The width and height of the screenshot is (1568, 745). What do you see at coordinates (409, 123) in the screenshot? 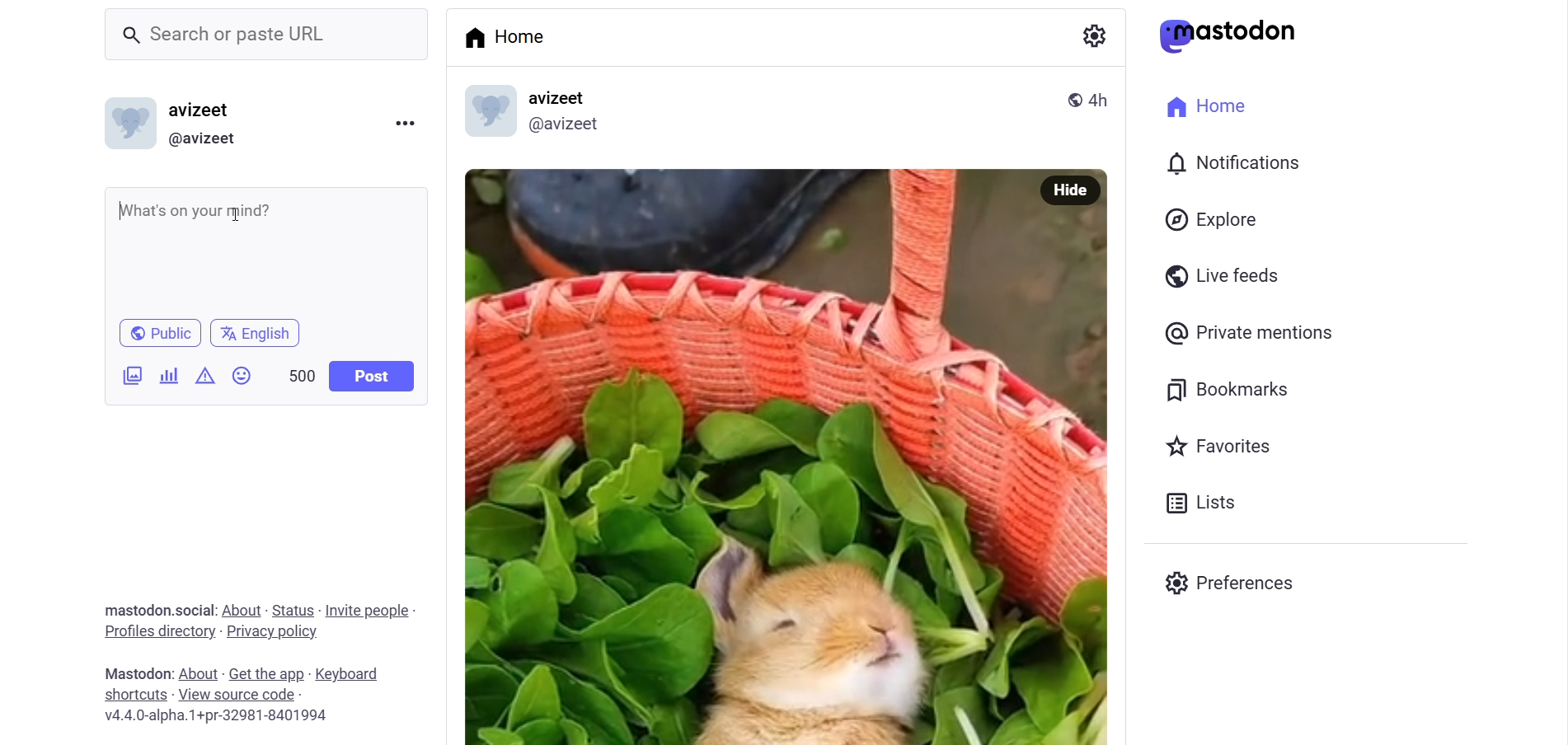
I see `Menu` at bounding box center [409, 123].